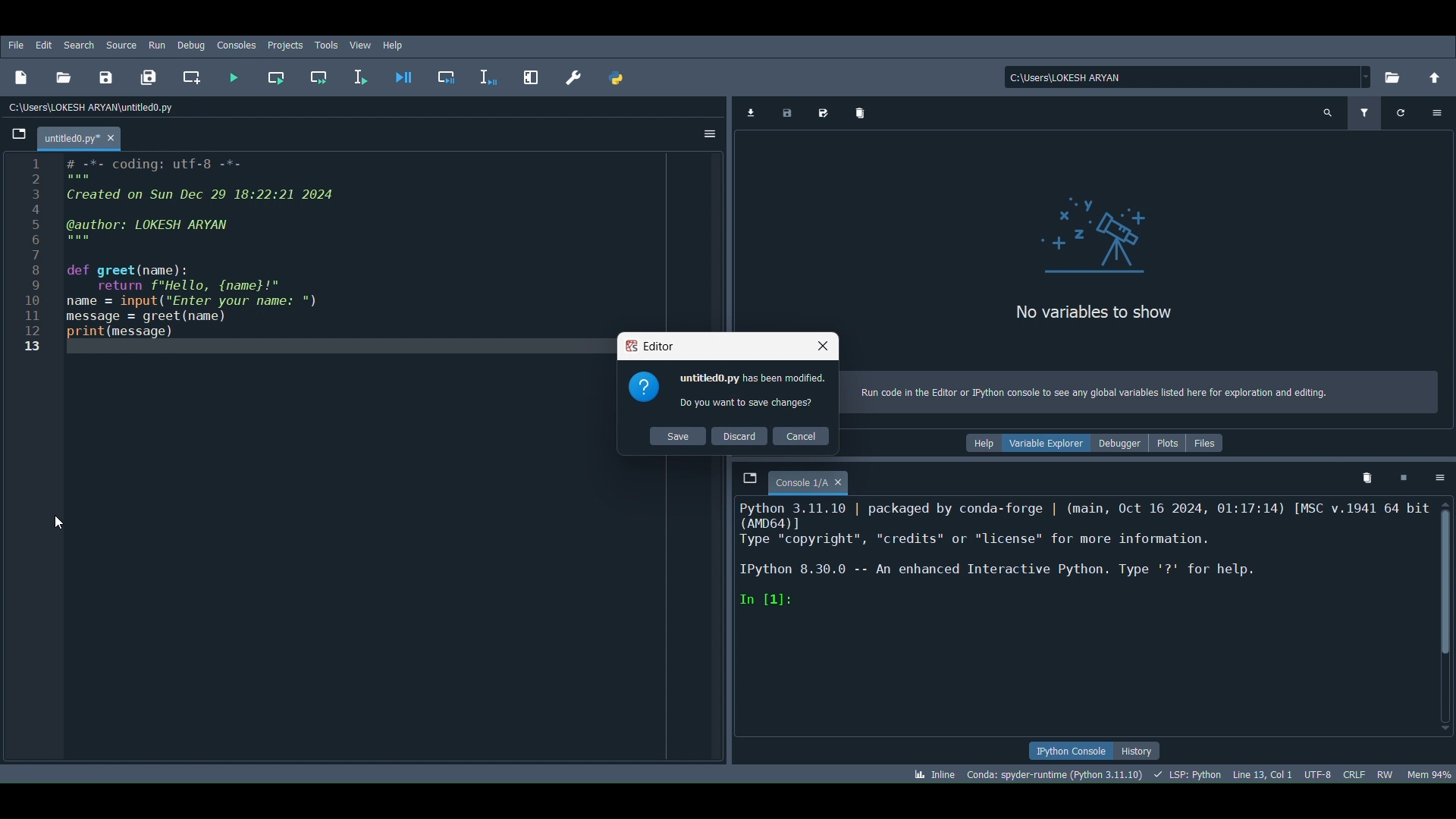 This screenshot has height=819, width=1456. I want to click on Run selection or current line (F9), so click(360, 75).